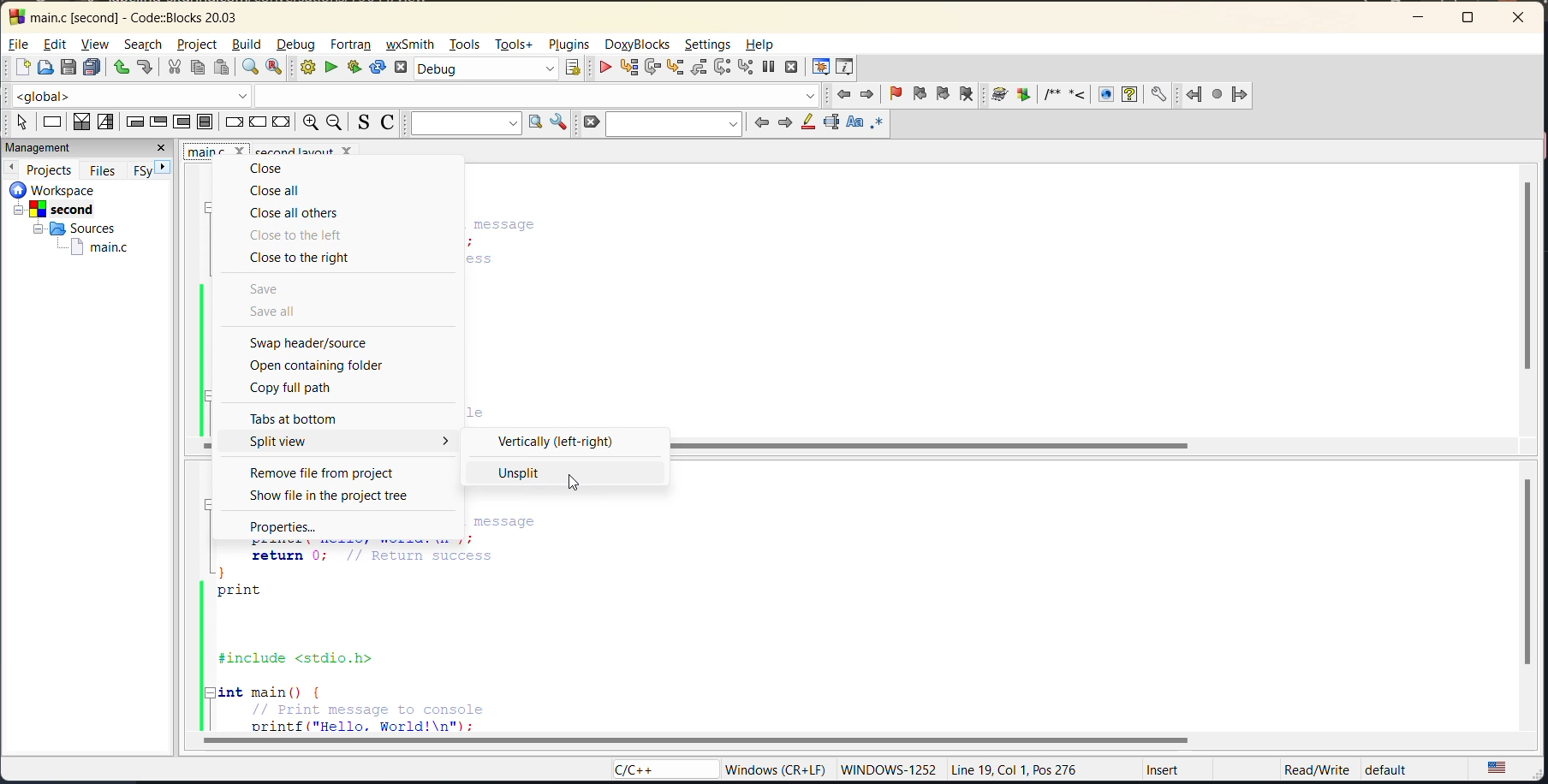 Image resolution: width=1548 pixels, height=784 pixels. Describe the element at coordinates (49, 69) in the screenshot. I see `open` at that location.